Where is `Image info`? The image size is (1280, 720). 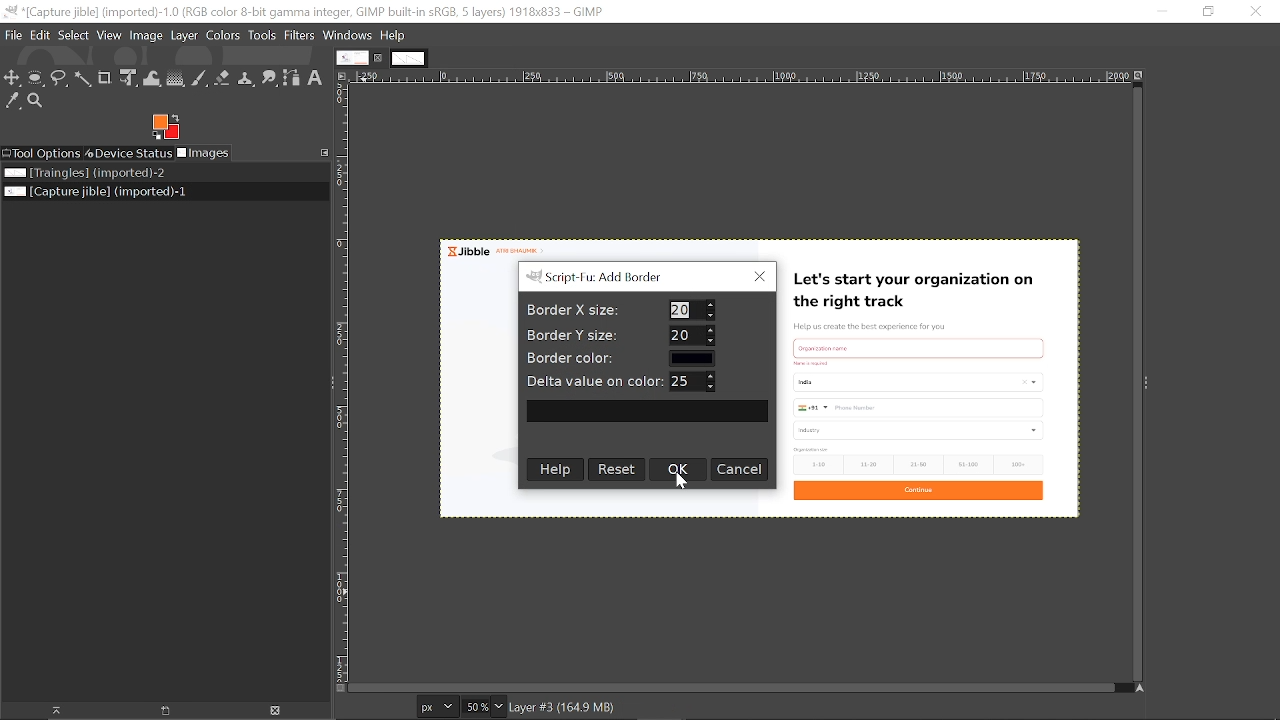 Image info is located at coordinates (566, 707).